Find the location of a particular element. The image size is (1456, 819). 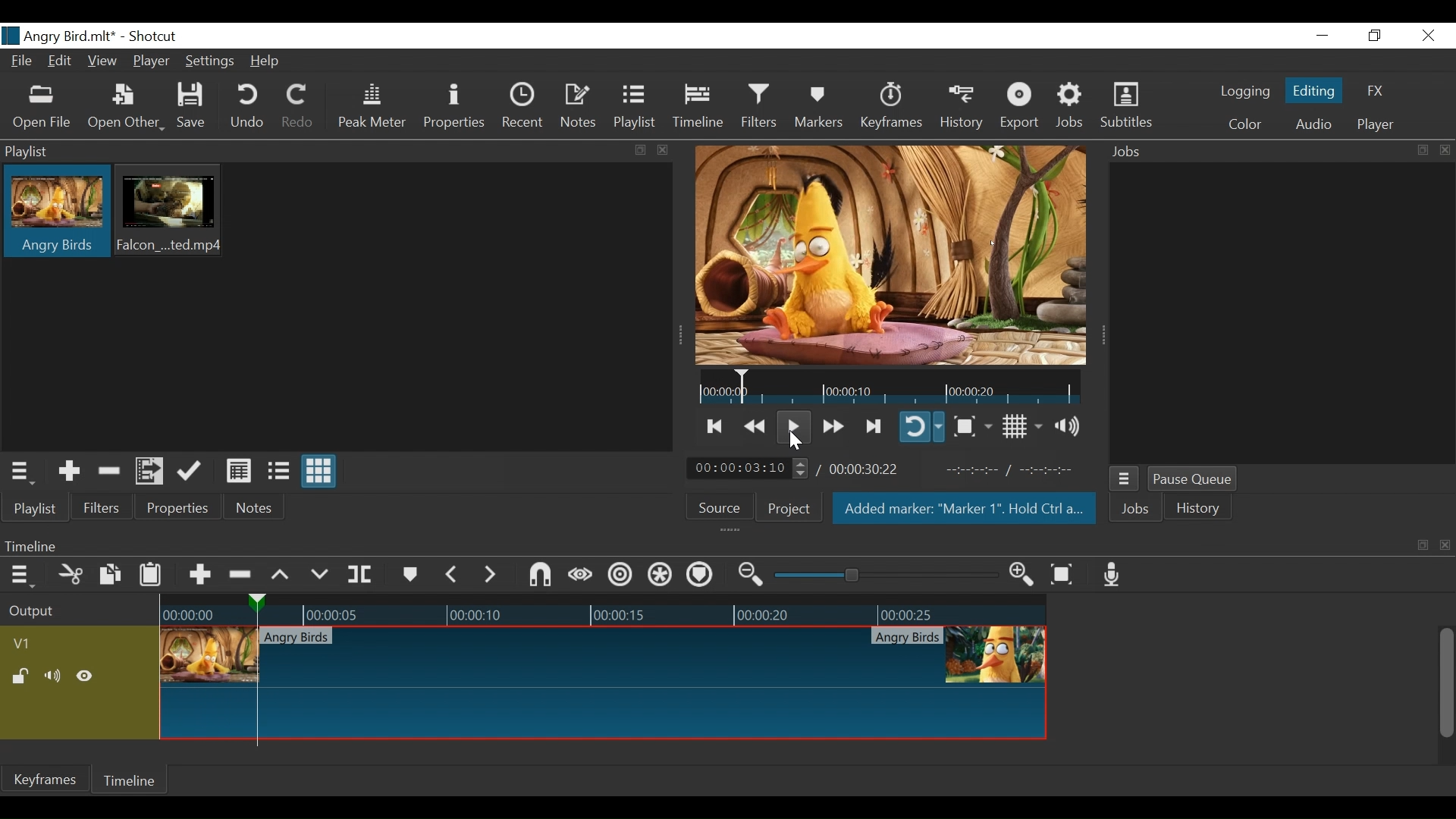

Output is located at coordinates (59, 617).